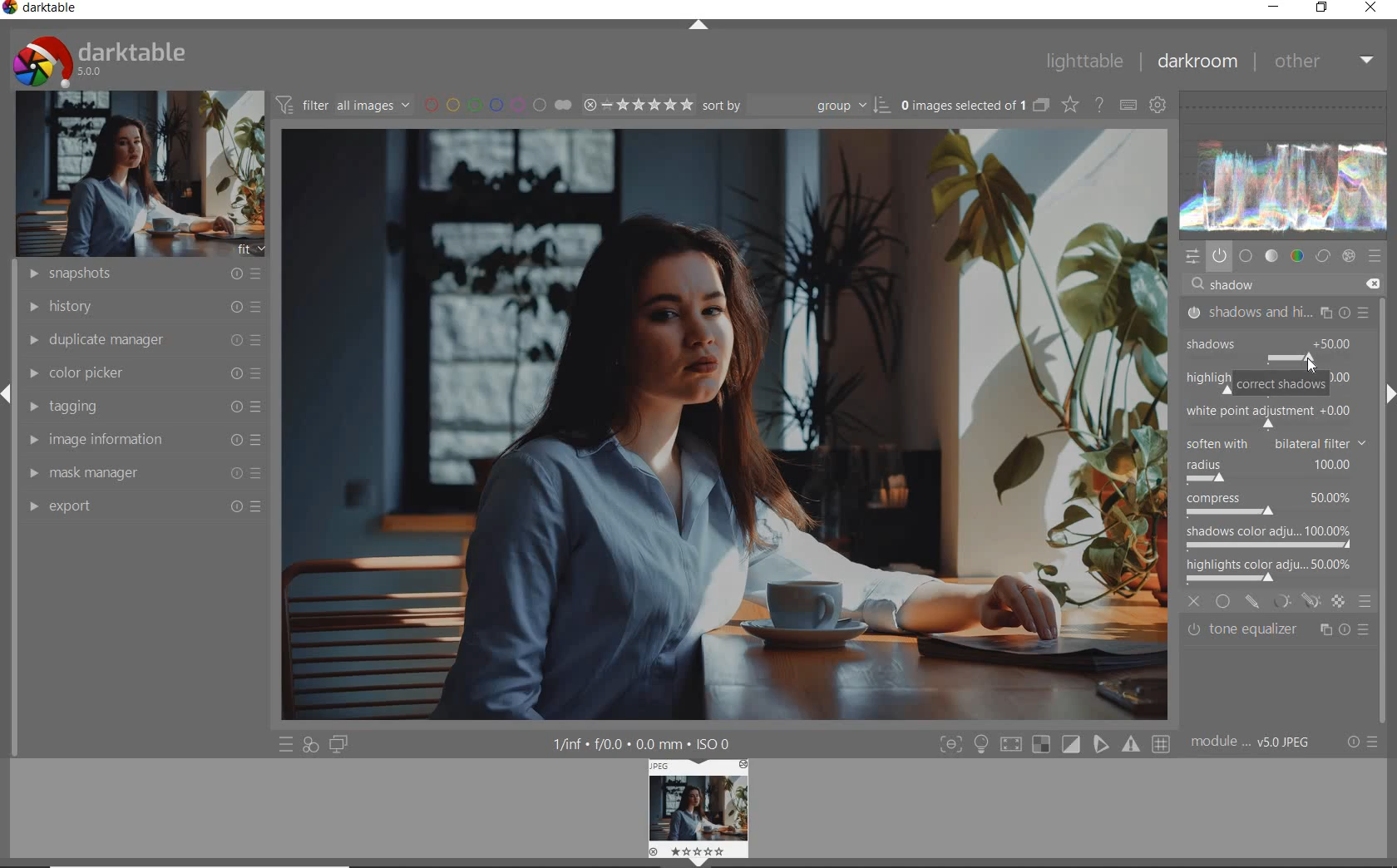 This screenshot has height=868, width=1397. I want to click on filter by image color label, so click(496, 103).